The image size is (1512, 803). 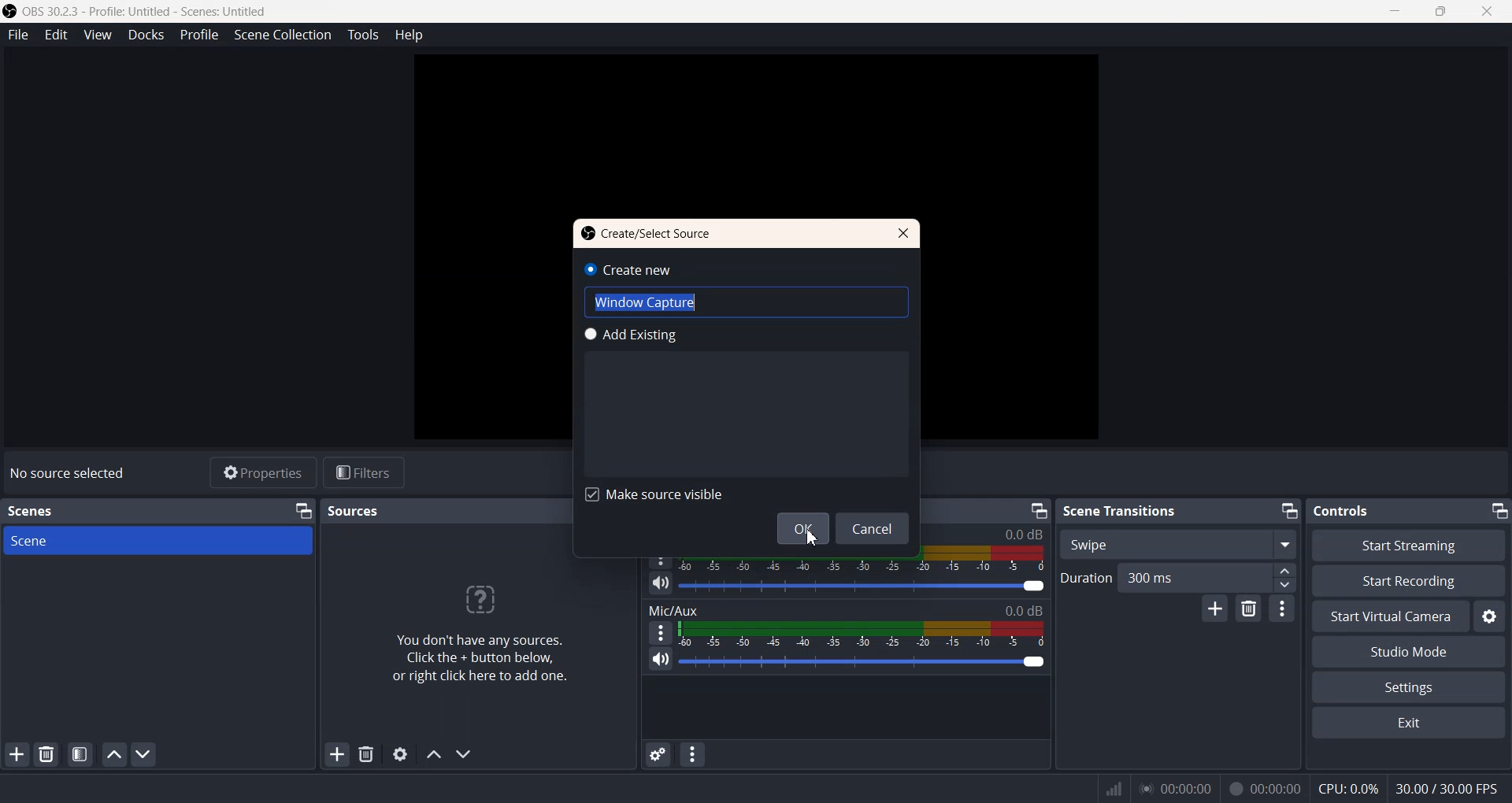 I want to click on Settings, so click(x=1488, y=616).